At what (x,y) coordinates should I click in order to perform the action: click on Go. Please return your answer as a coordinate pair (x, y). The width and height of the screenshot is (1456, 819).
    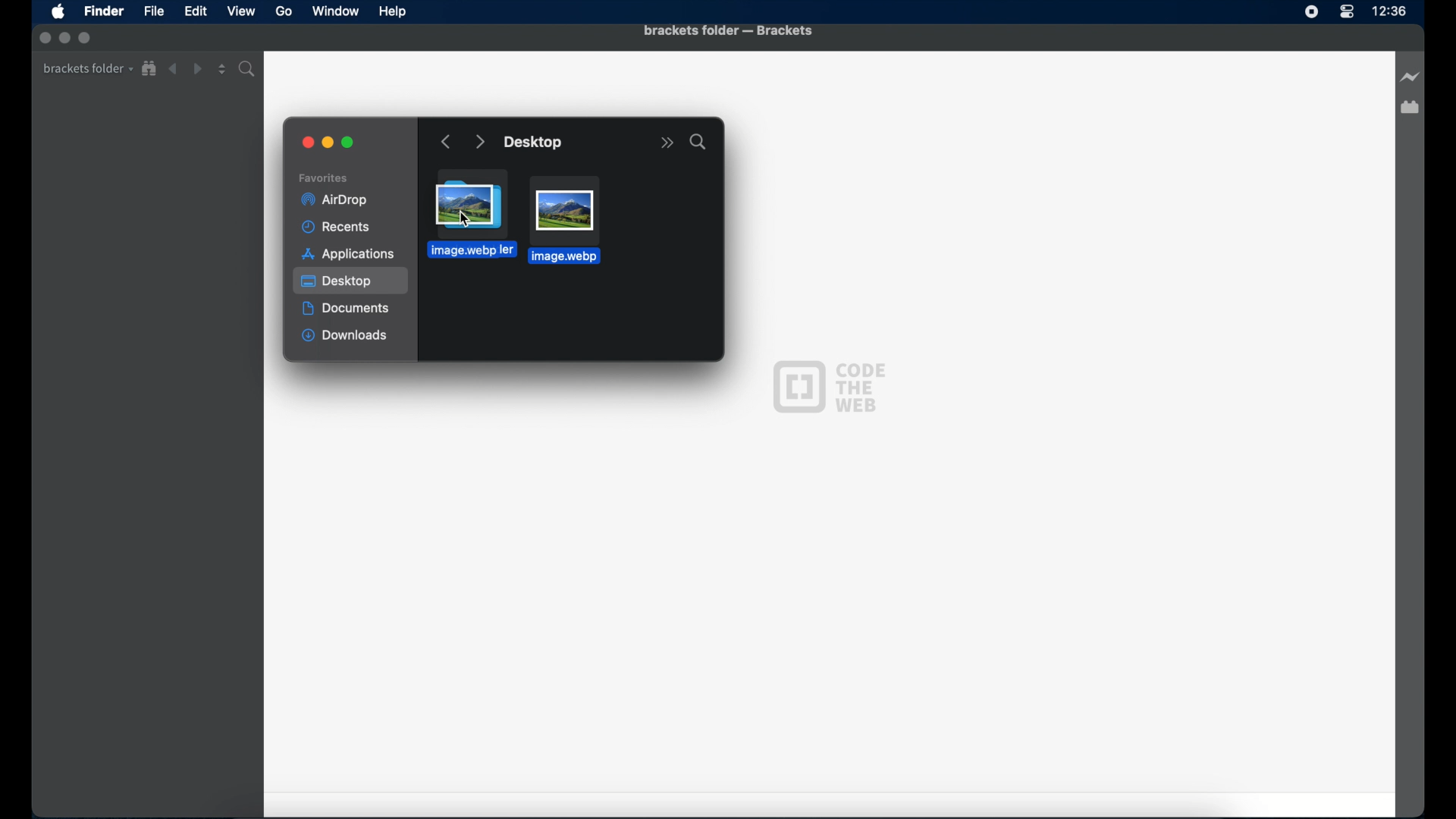
    Looking at the image, I should click on (284, 11).